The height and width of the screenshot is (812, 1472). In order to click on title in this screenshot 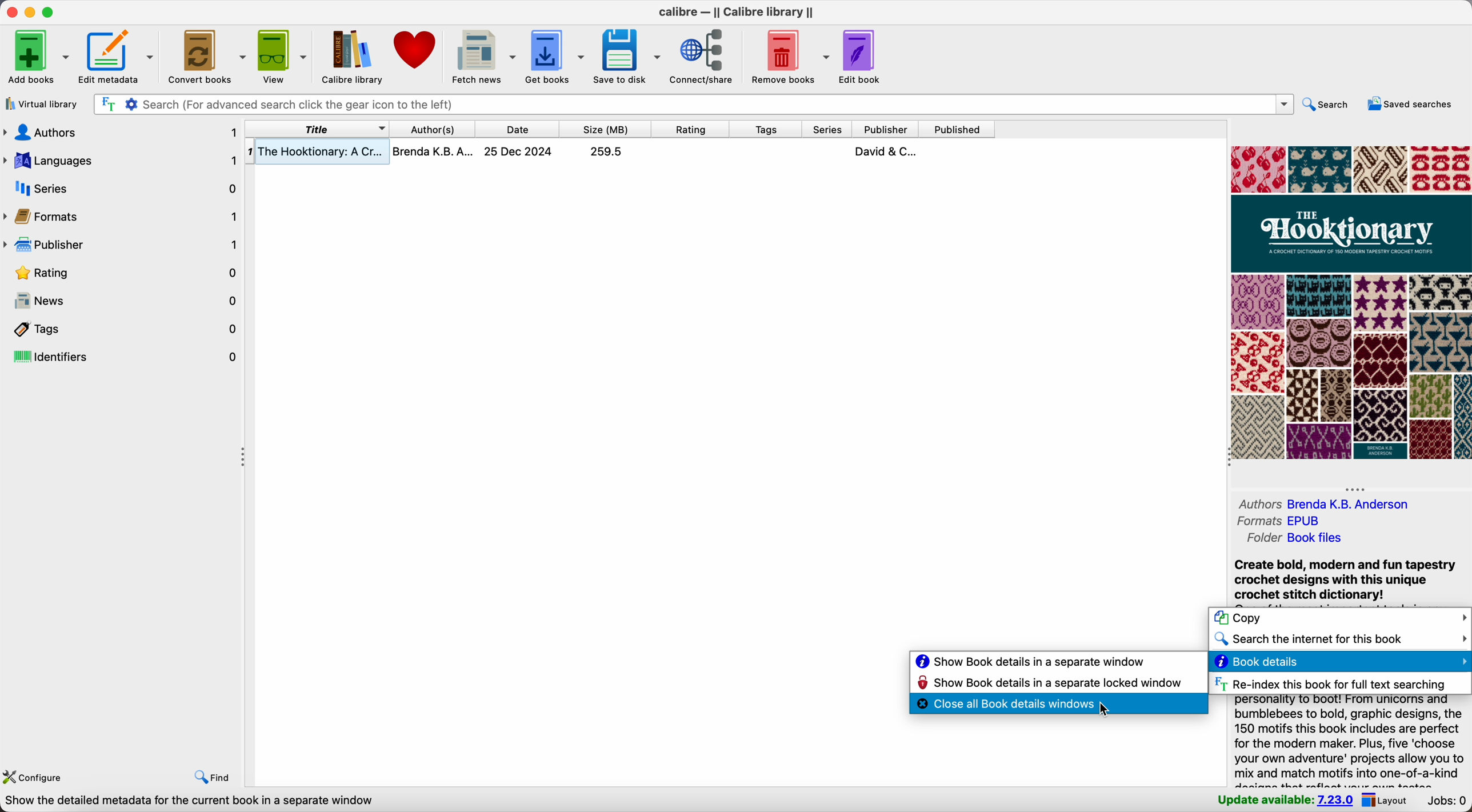, I will do `click(318, 129)`.